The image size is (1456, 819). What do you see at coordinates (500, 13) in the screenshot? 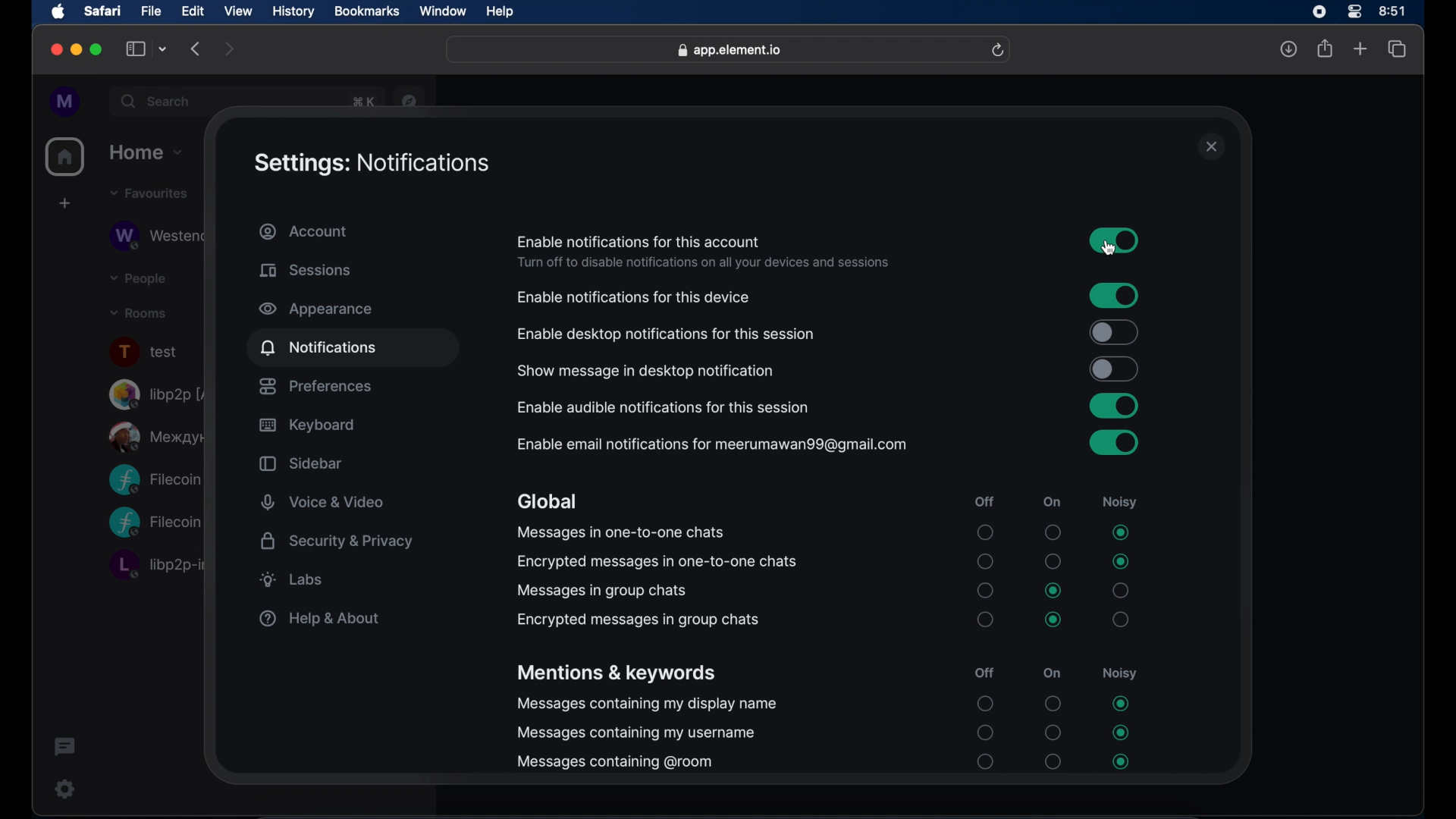
I see `help` at bounding box center [500, 13].